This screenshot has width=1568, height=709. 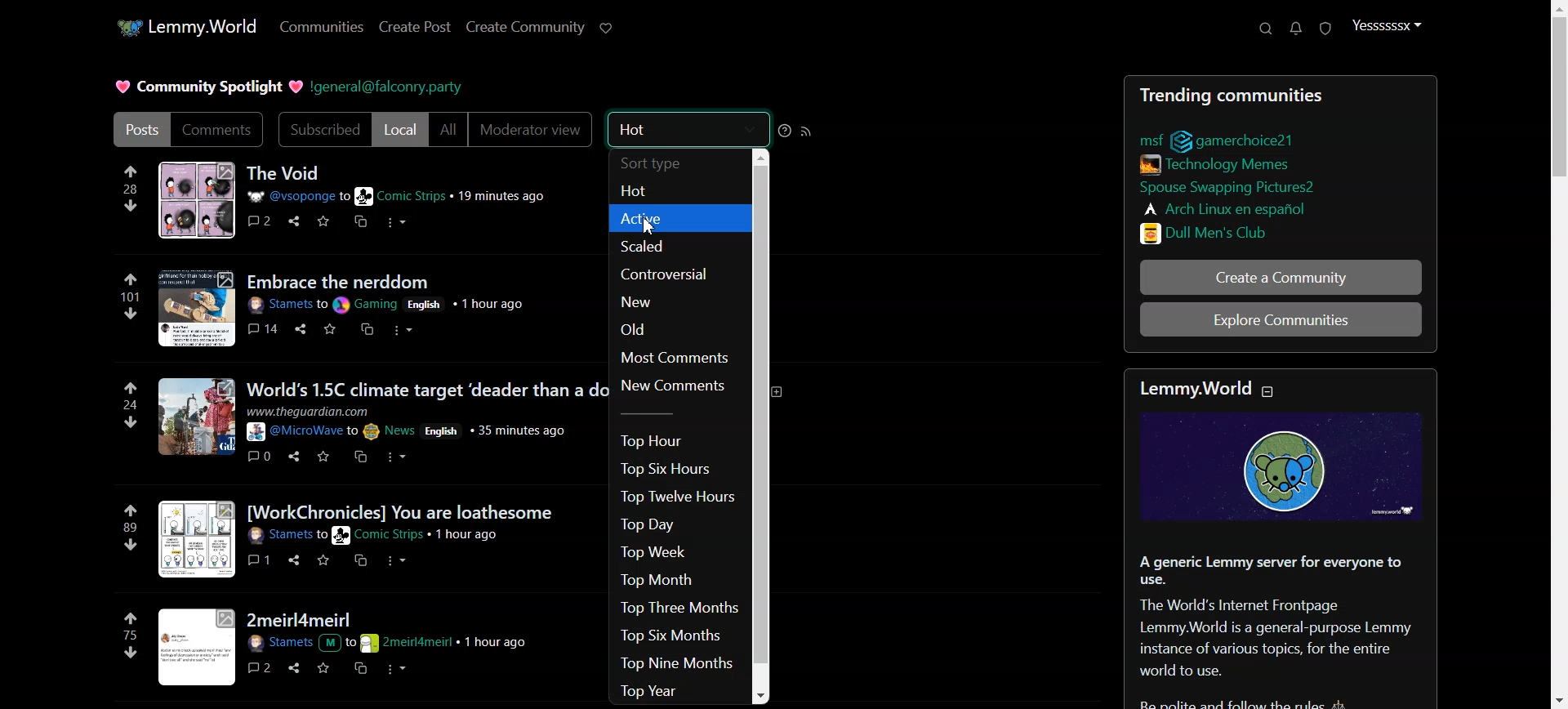 What do you see at coordinates (319, 27) in the screenshot?
I see `Communities` at bounding box center [319, 27].